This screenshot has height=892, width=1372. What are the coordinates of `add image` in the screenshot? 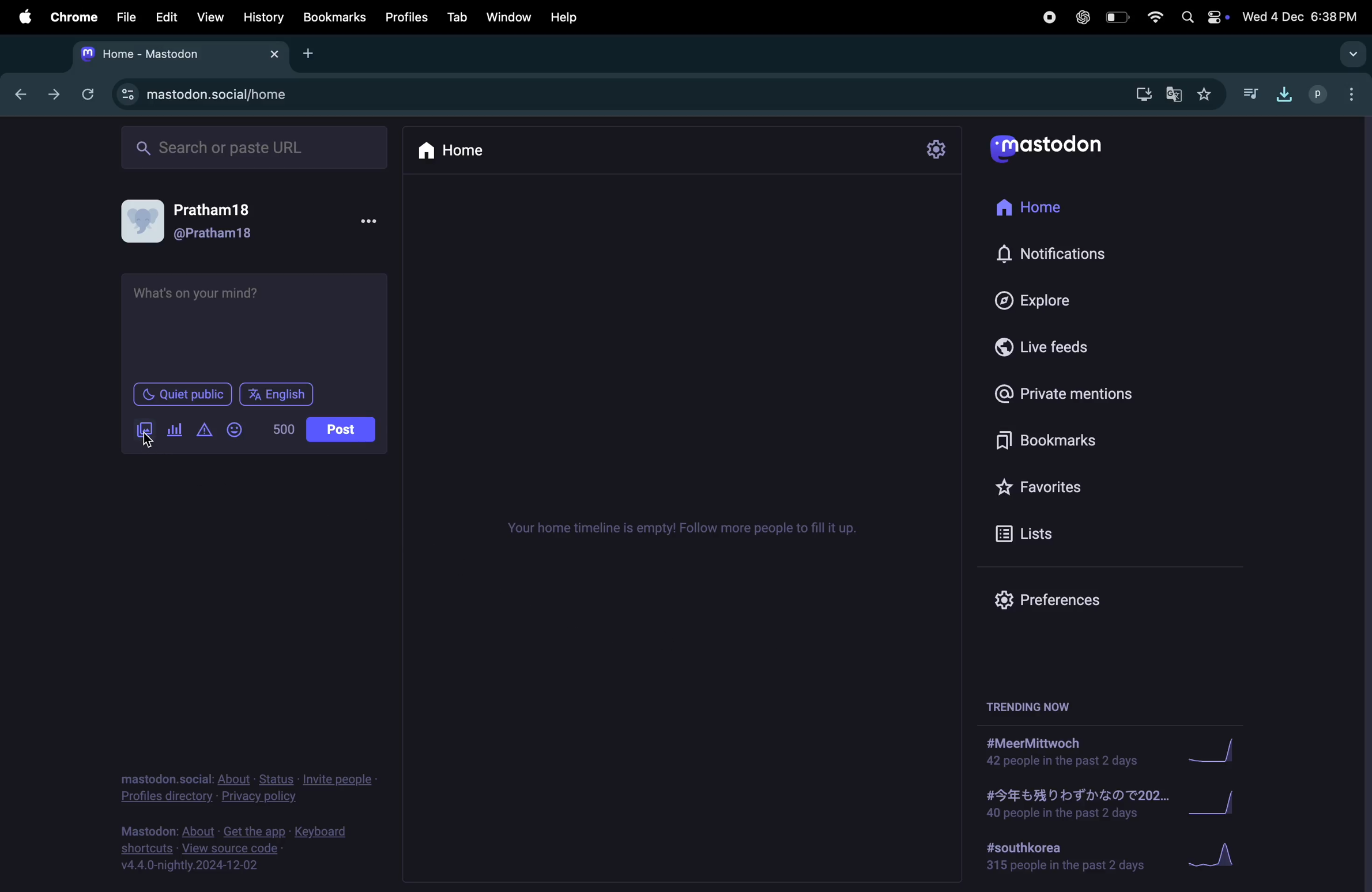 It's located at (141, 433).